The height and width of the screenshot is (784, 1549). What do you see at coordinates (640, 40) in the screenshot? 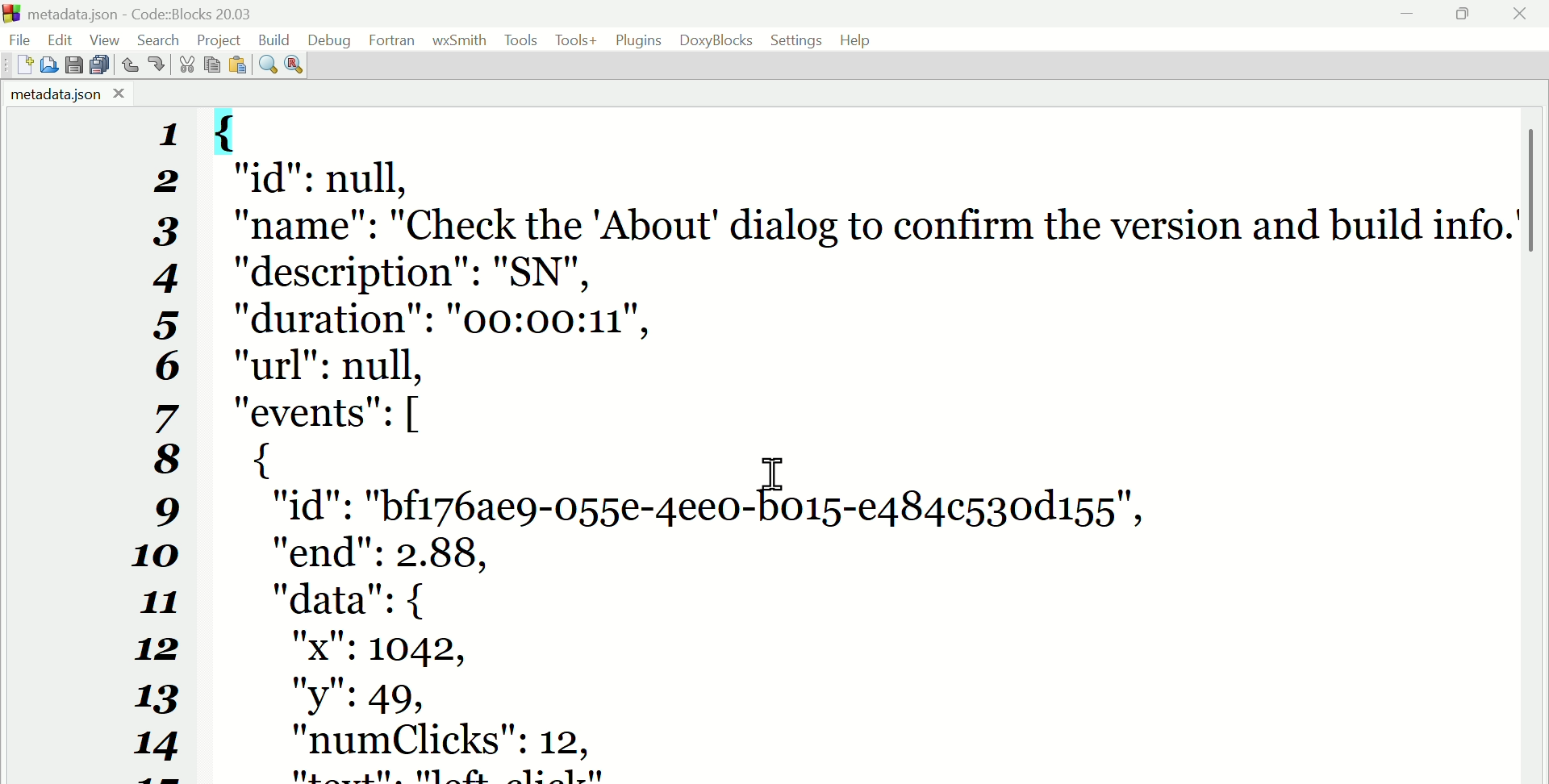
I see `Plugins` at bounding box center [640, 40].